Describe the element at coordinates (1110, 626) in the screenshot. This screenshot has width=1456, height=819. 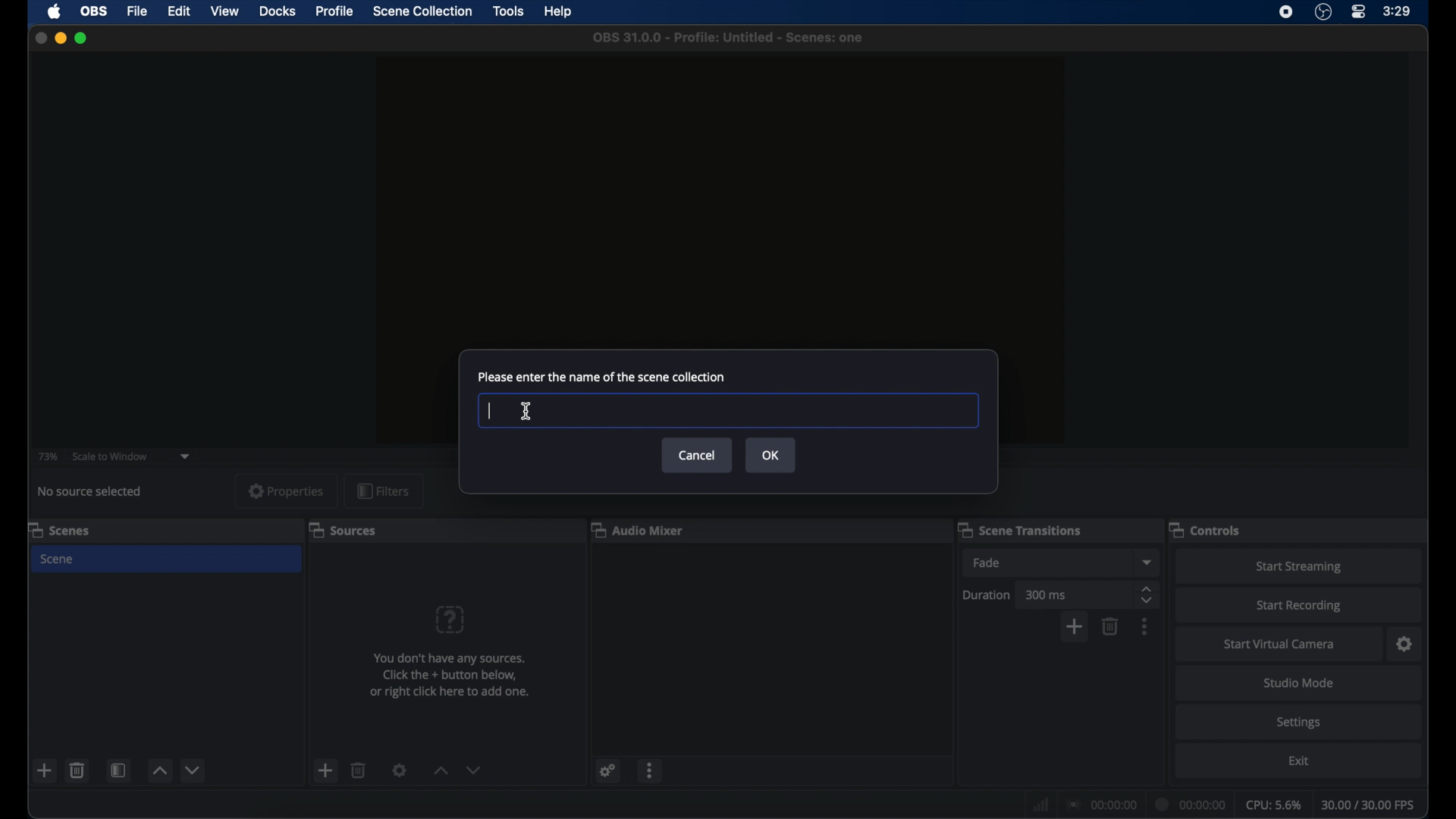
I see `delete` at that location.